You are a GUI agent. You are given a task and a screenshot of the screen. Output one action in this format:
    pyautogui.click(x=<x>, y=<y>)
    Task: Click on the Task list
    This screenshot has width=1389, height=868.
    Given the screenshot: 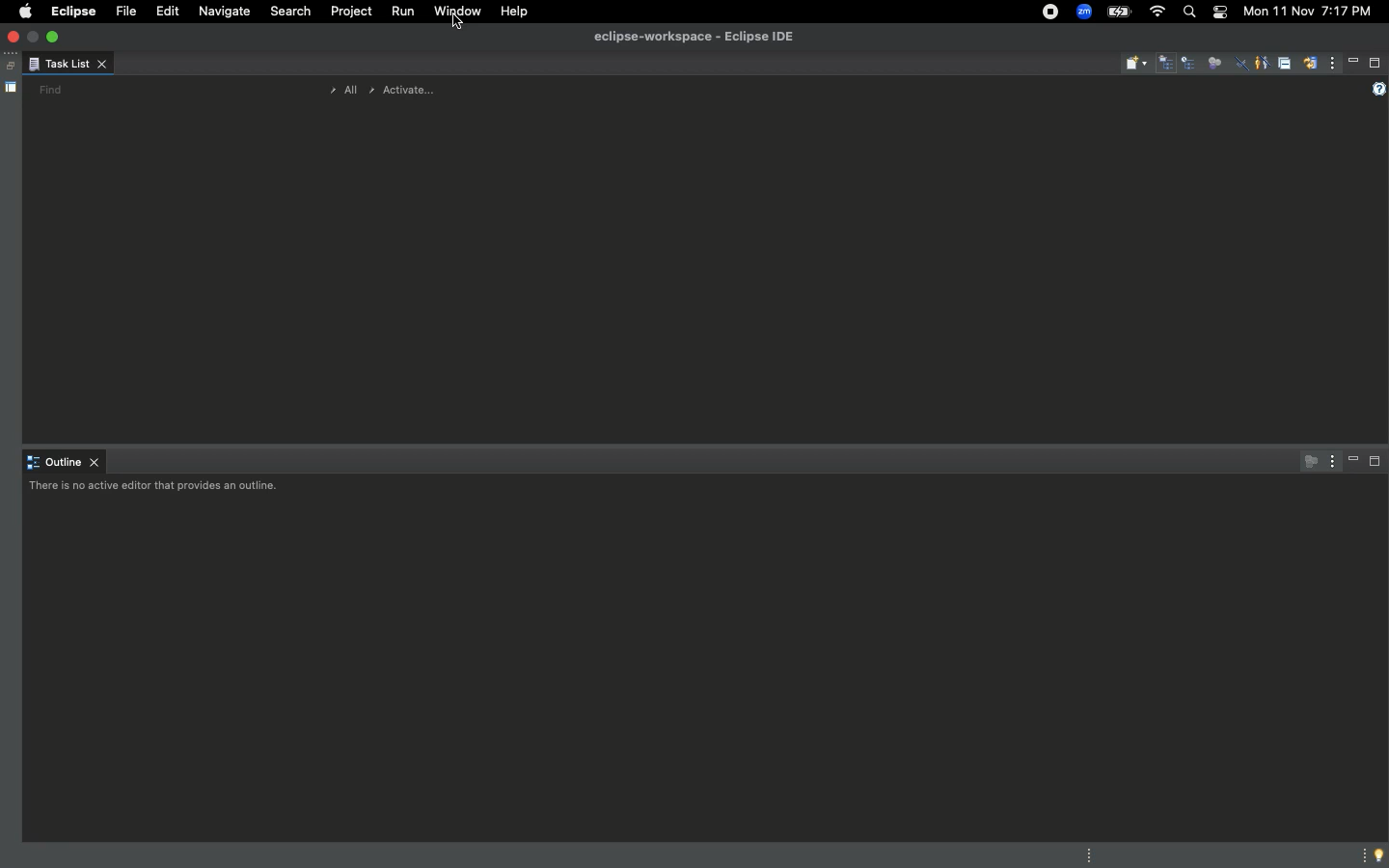 What is the action you would take?
    pyautogui.click(x=68, y=66)
    